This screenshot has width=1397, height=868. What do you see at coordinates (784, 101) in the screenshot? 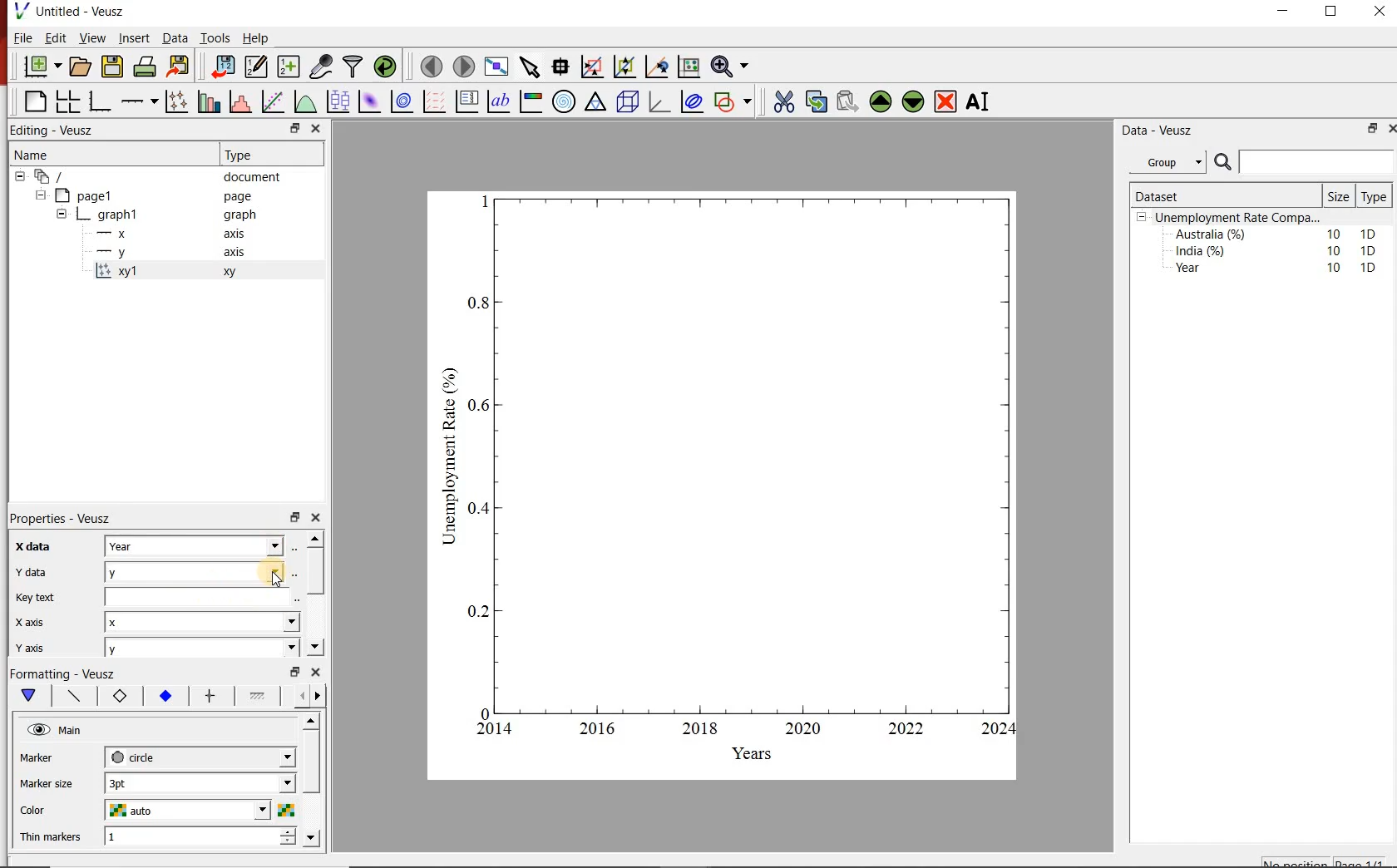
I see `cut the widgets` at bounding box center [784, 101].